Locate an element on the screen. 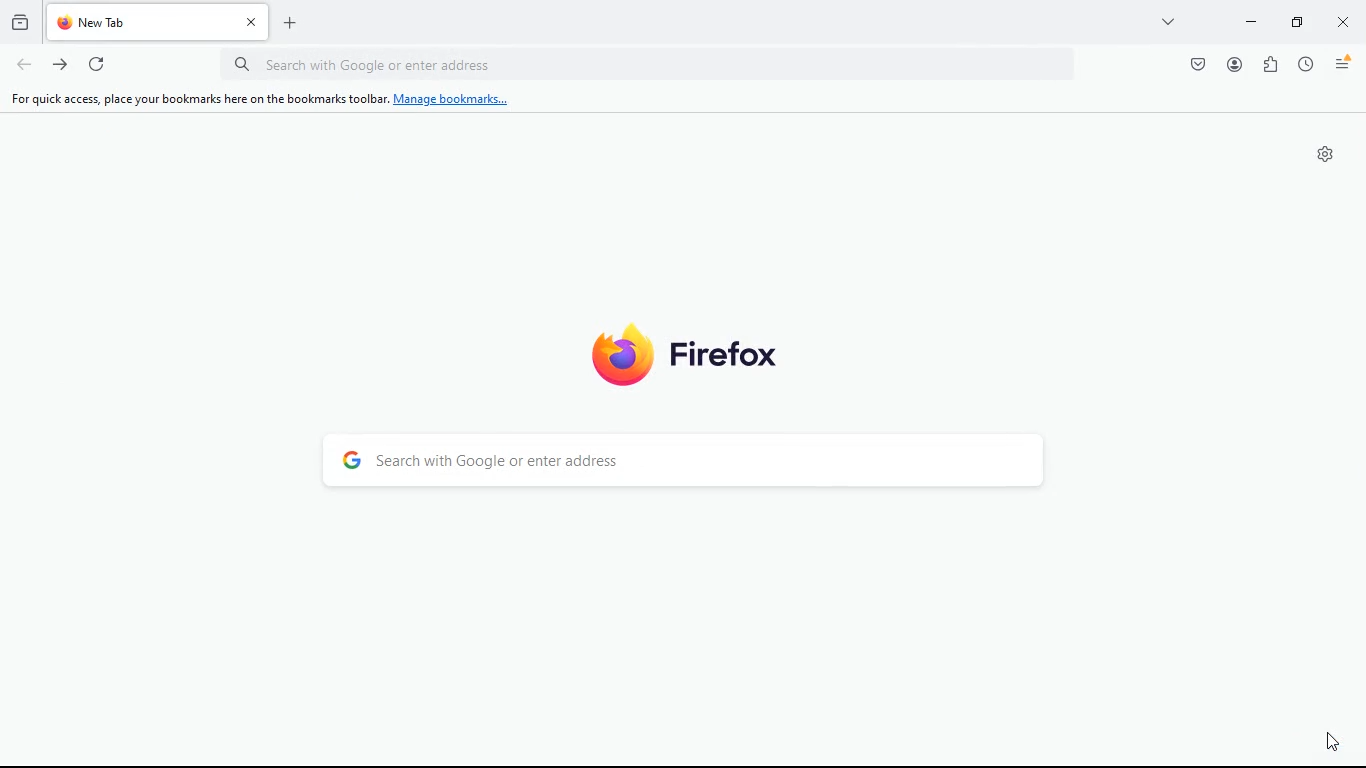 The height and width of the screenshot is (768, 1366). For quick access, place your bookmarks here on the bookmarks toolbar. Manage bookmarks... is located at coordinates (257, 99).